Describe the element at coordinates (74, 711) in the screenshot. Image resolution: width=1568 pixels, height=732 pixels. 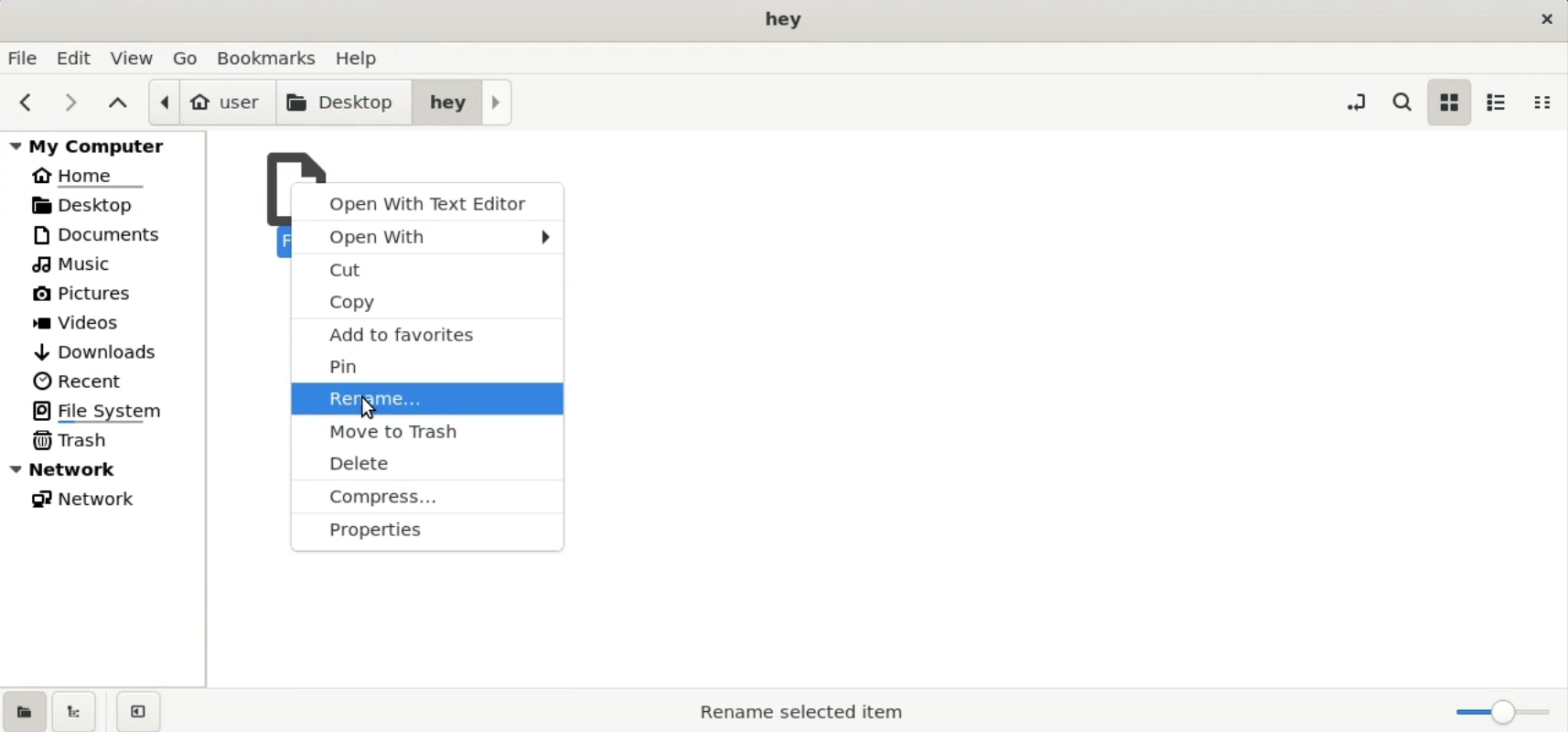
I see `show treeview` at that location.